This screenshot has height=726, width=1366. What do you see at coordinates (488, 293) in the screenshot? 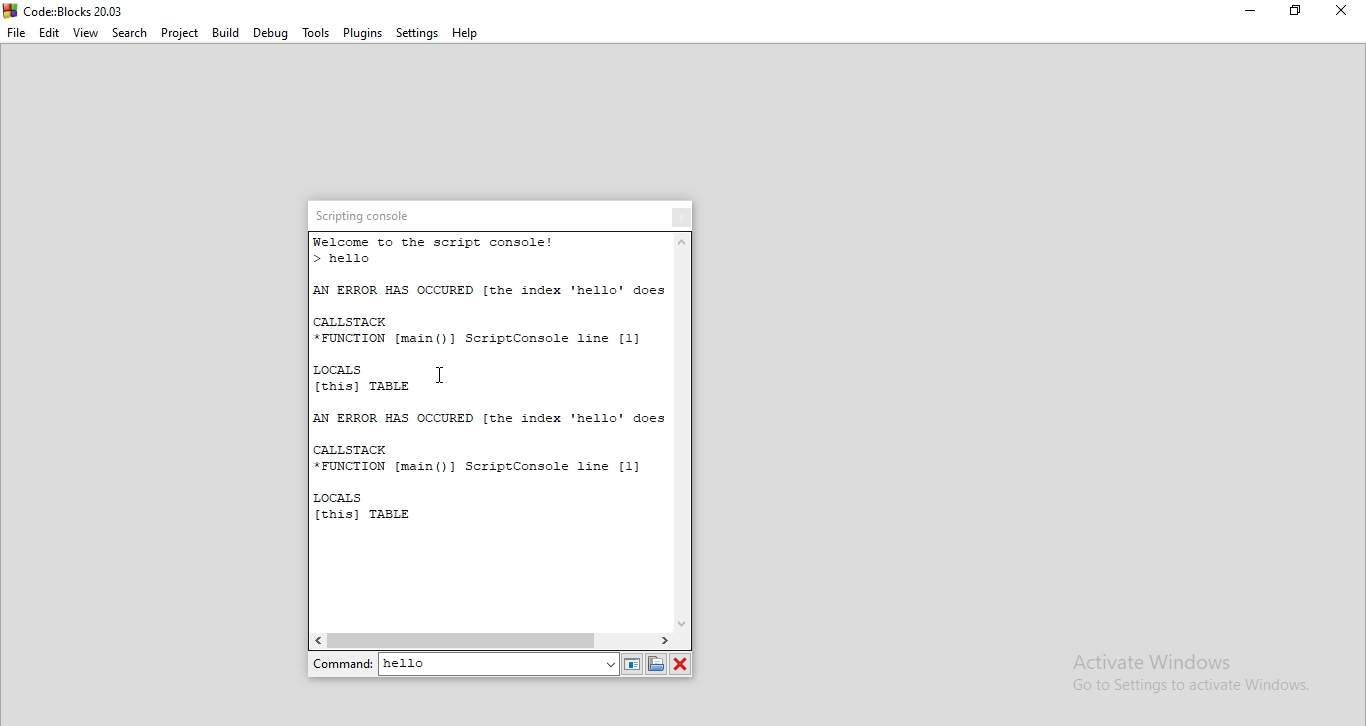
I see `Welcome to the script console!

> hello

AN ERROR HAS OCCURED [the index ‘hello’ does
CALLSTACK

“FUNCTION [main()] ScriptConsole line [1]` at bounding box center [488, 293].